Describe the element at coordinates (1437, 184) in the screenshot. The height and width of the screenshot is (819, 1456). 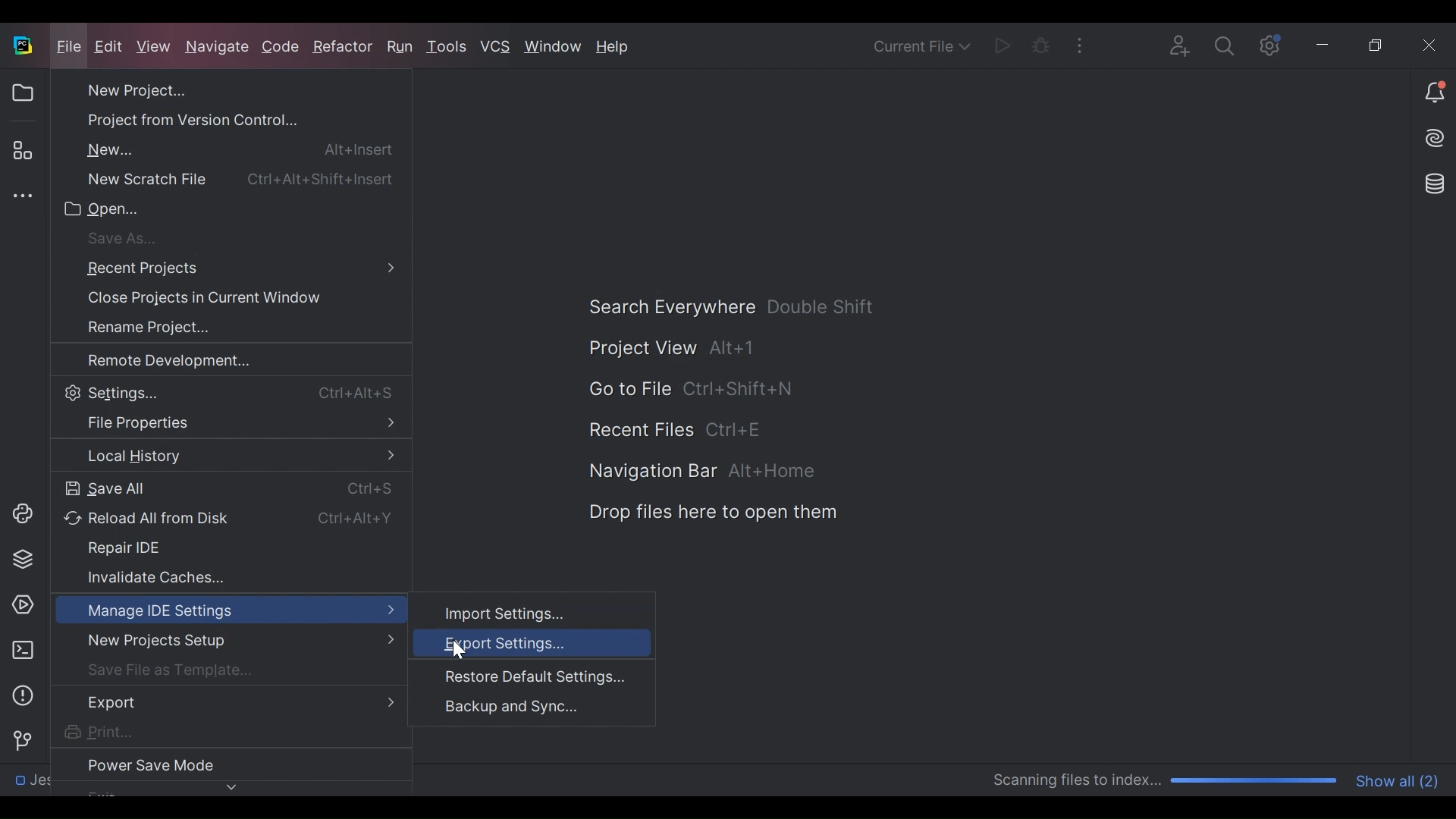
I see `Database` at that location.